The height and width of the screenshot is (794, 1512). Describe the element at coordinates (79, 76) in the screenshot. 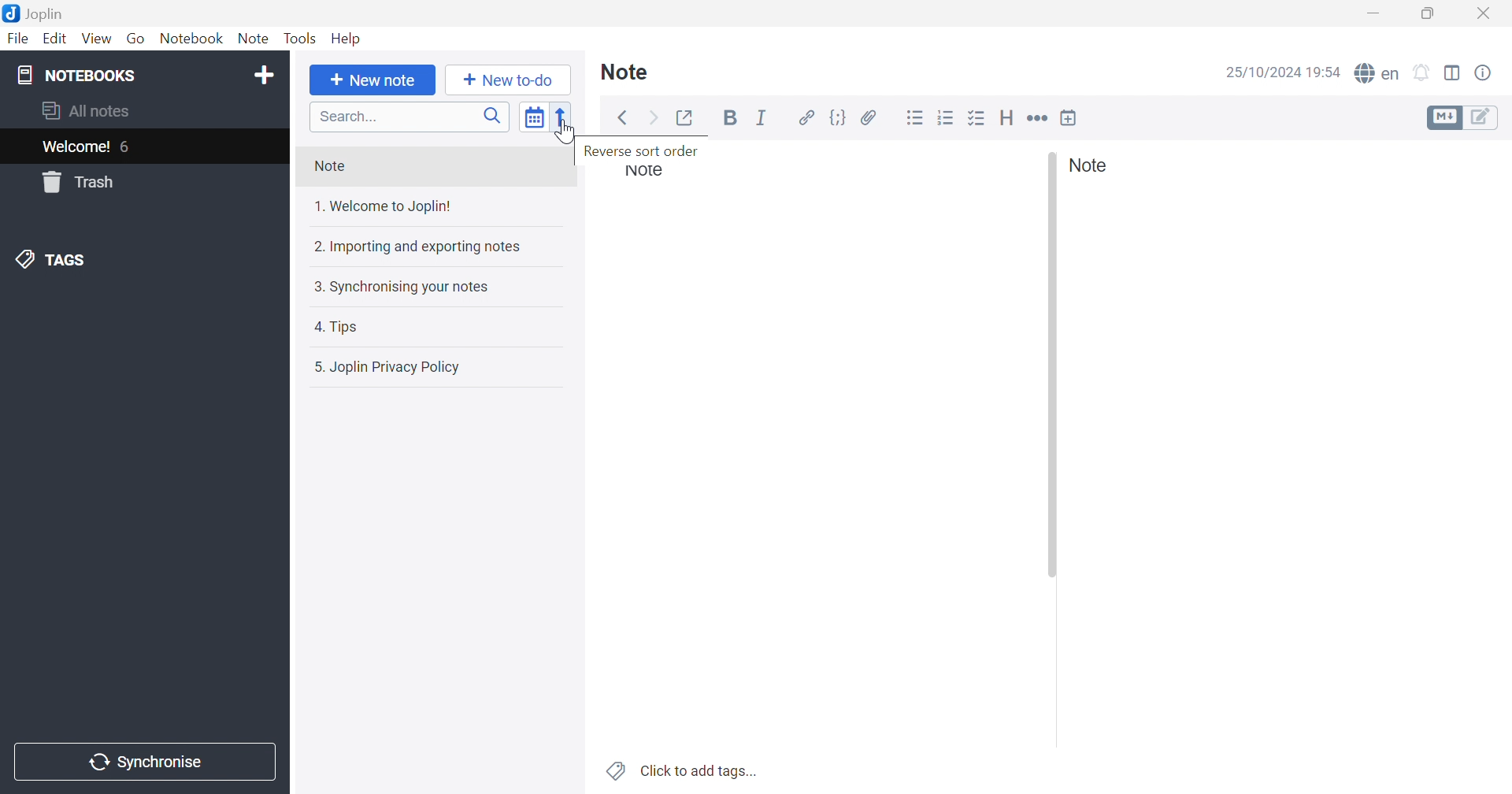

I see `Notebooks` at that location.